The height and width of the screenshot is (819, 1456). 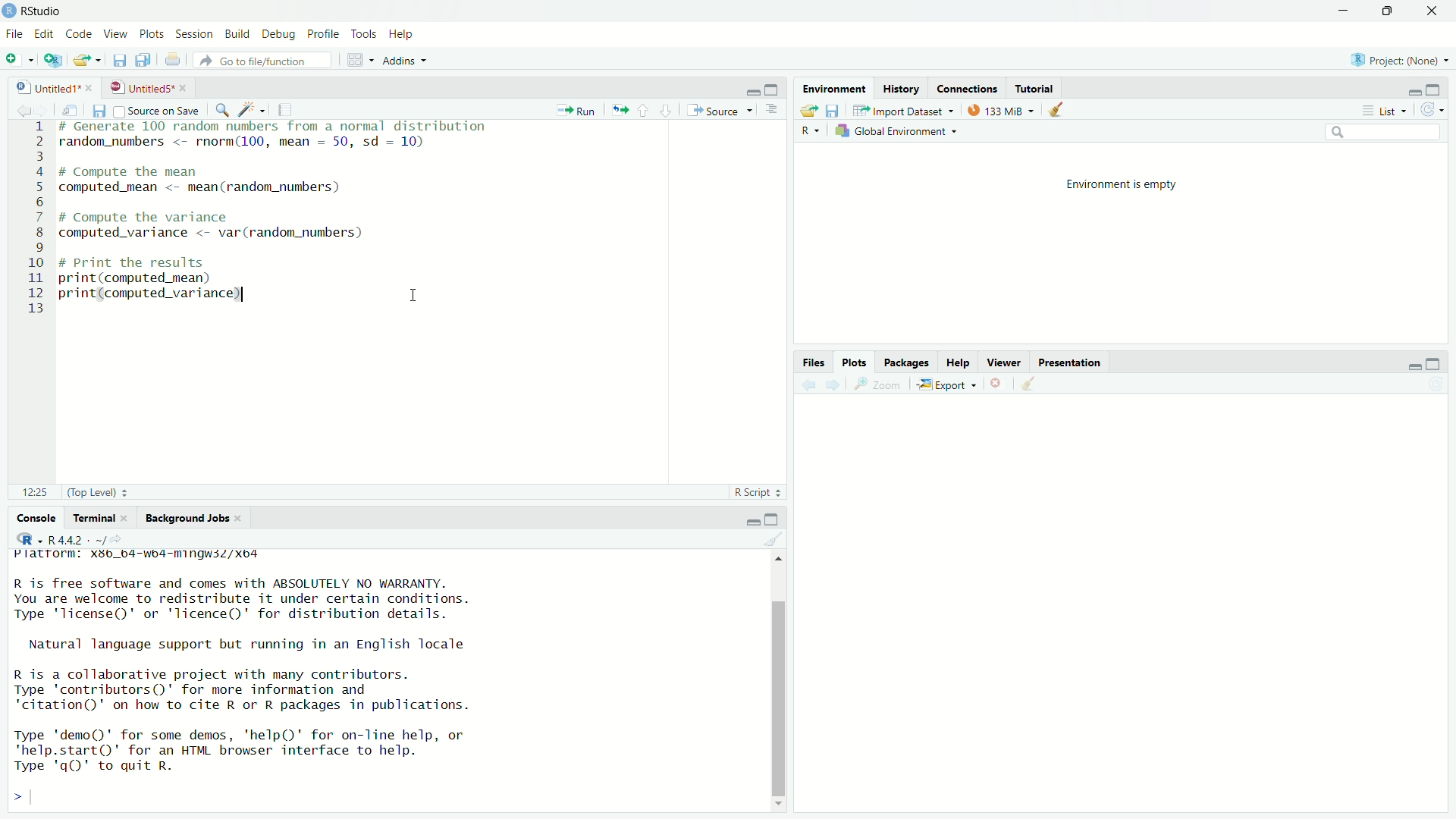 What do you see at coordinates (166, 216) in the screenshot?
I see `# Compute the variance` at bounding box center [166, 216].